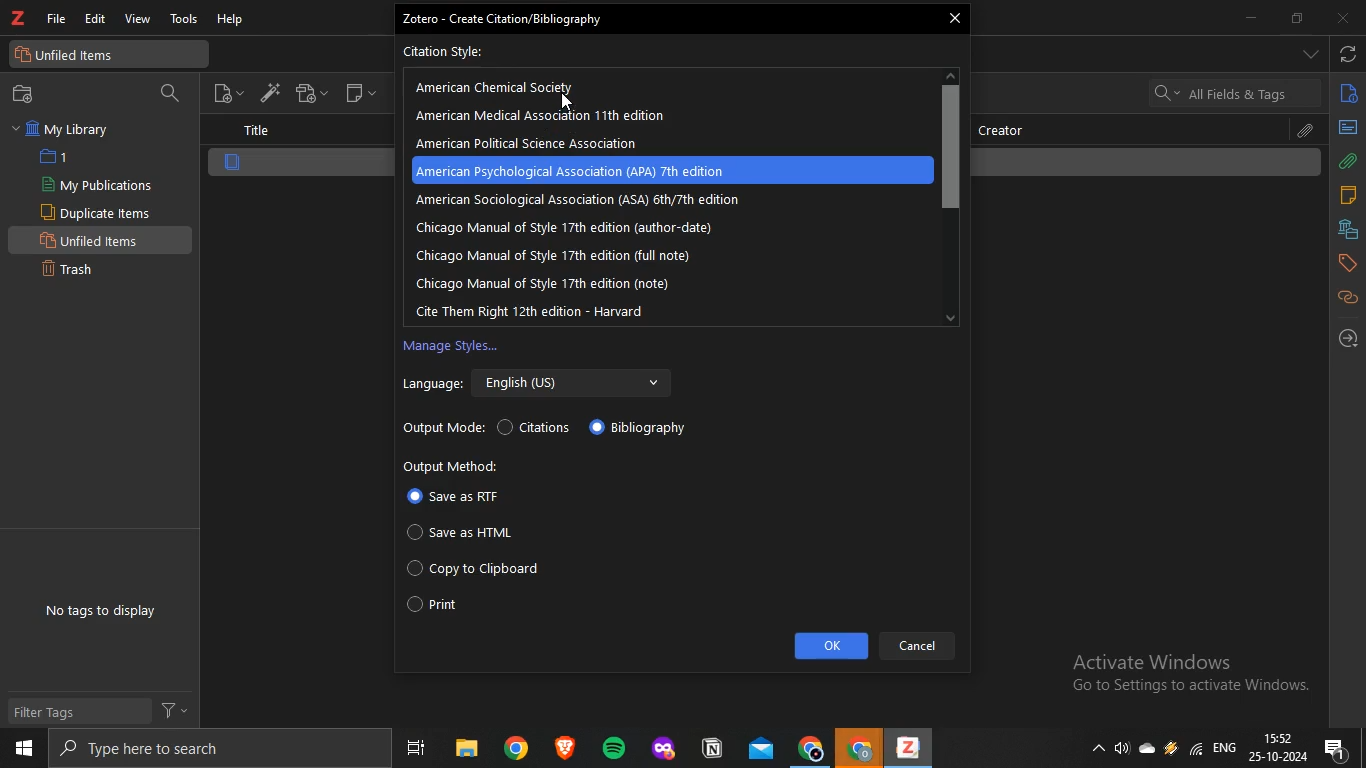 The height and width of the screenshot is (768, 1366). Describe the element at coordinates (1196, 748) in the screenshot. I see `wifi` at that location.